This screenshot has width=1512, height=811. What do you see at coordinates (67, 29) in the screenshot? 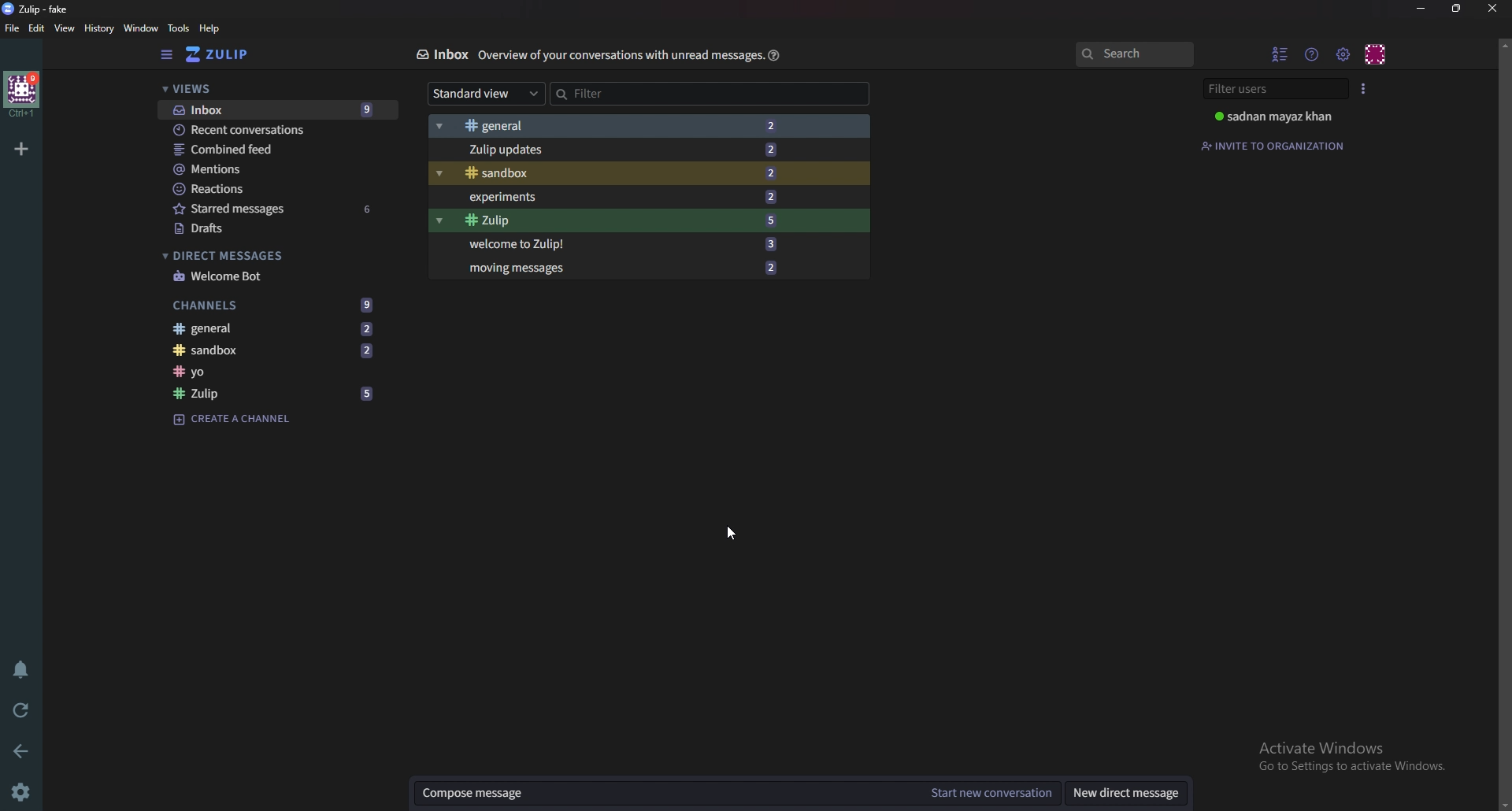
I see `view` at bounding box center [67, 29].